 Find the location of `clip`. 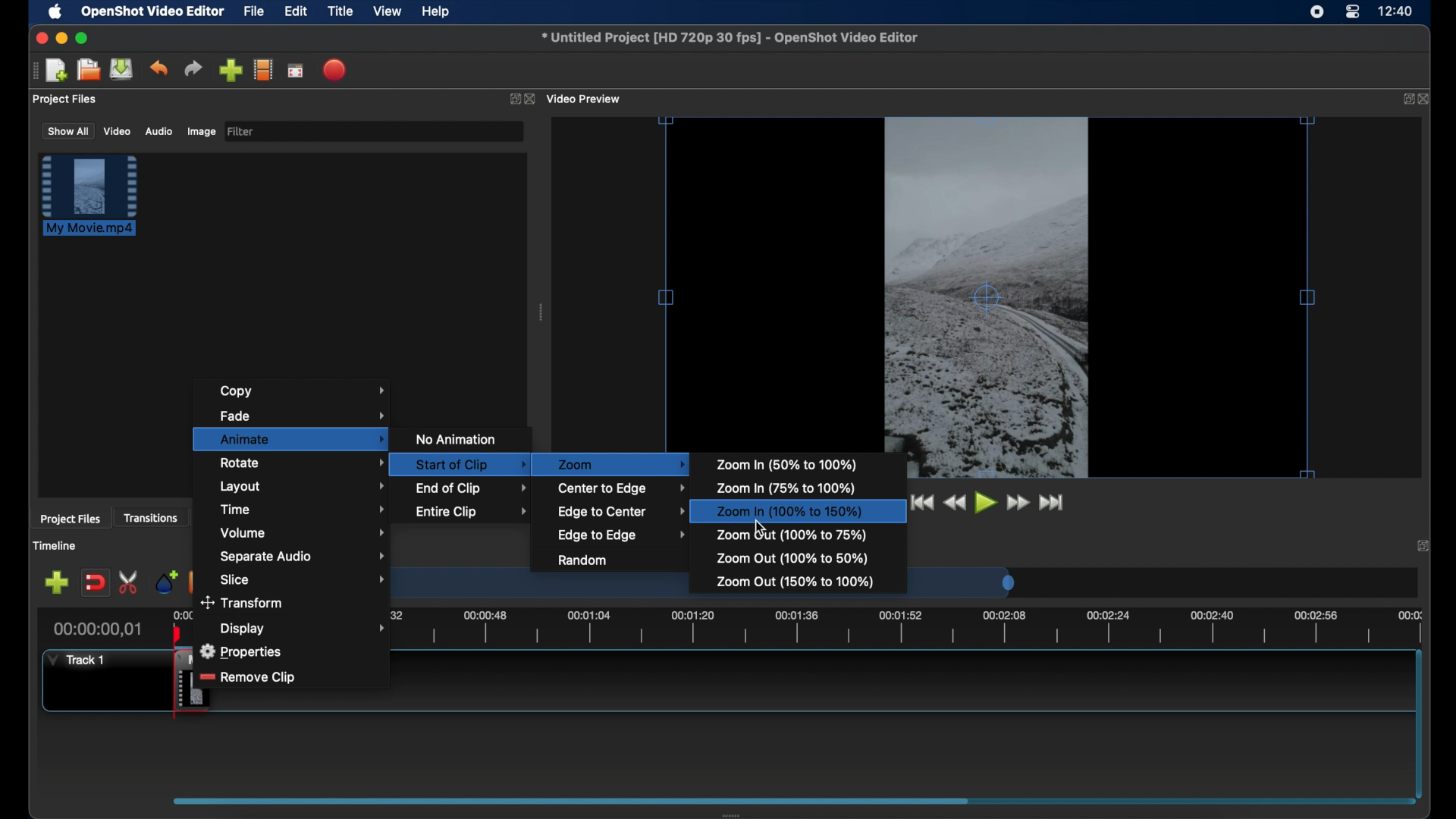

clip is located at coordinates (165, 686).